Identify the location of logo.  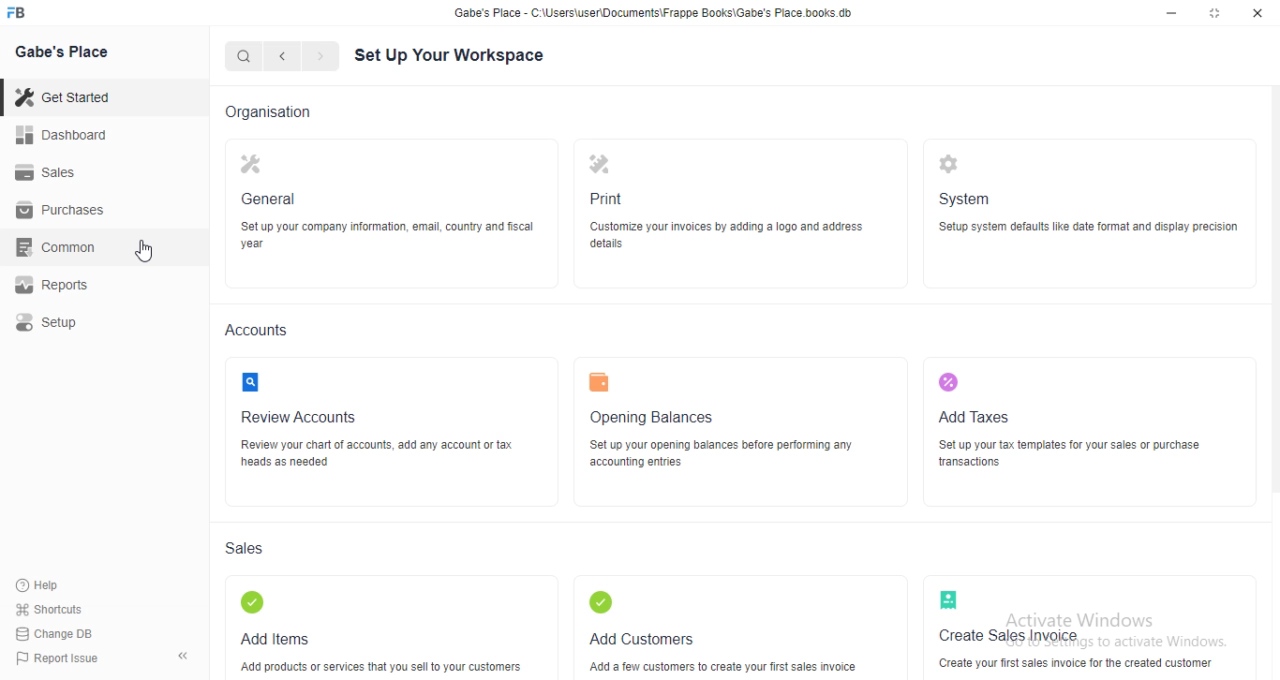
(252, 602).